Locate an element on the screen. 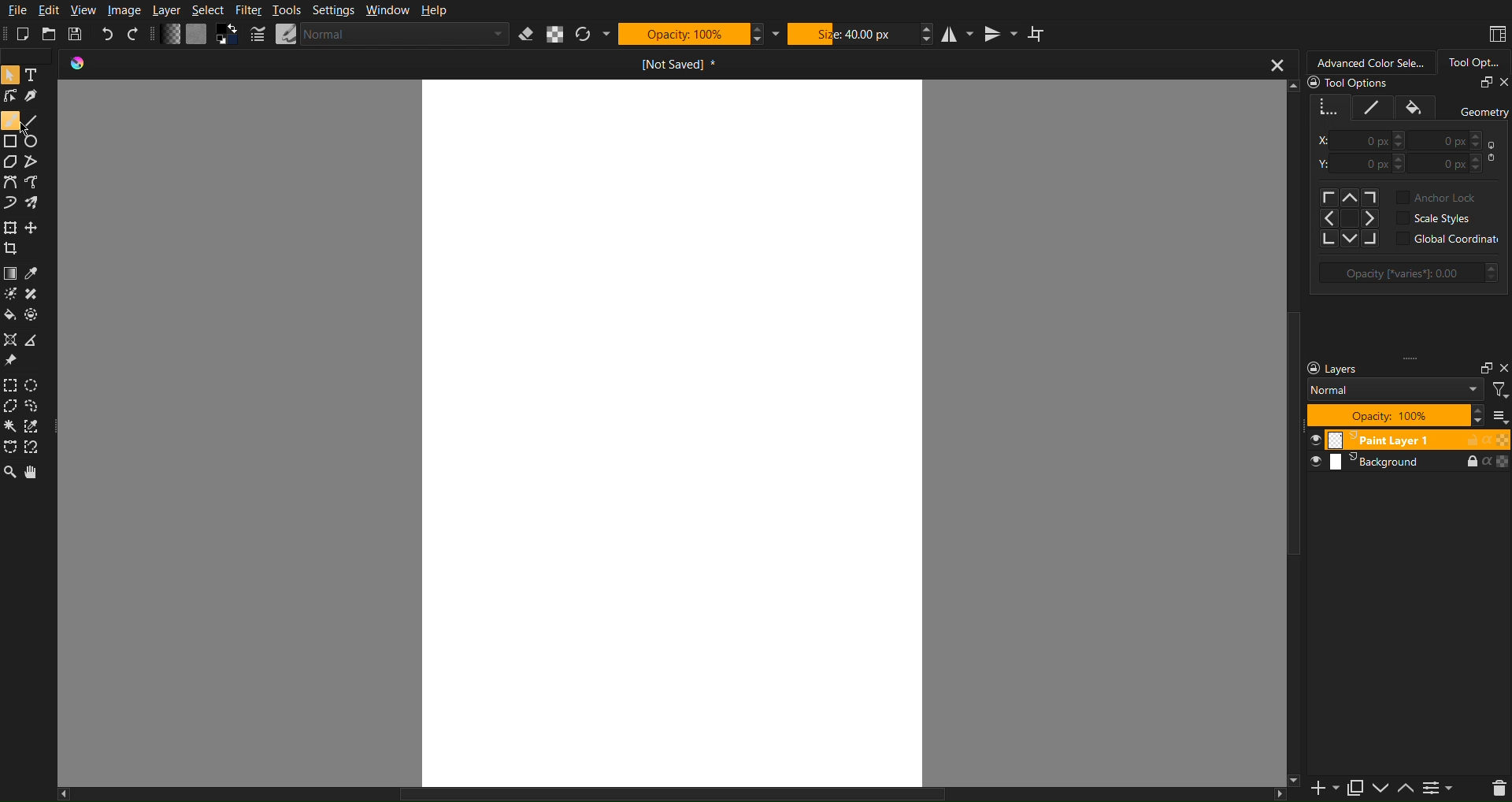 The height and width of the screenshot is (802, 1512). Settings is located at coordinates (1442, 789).